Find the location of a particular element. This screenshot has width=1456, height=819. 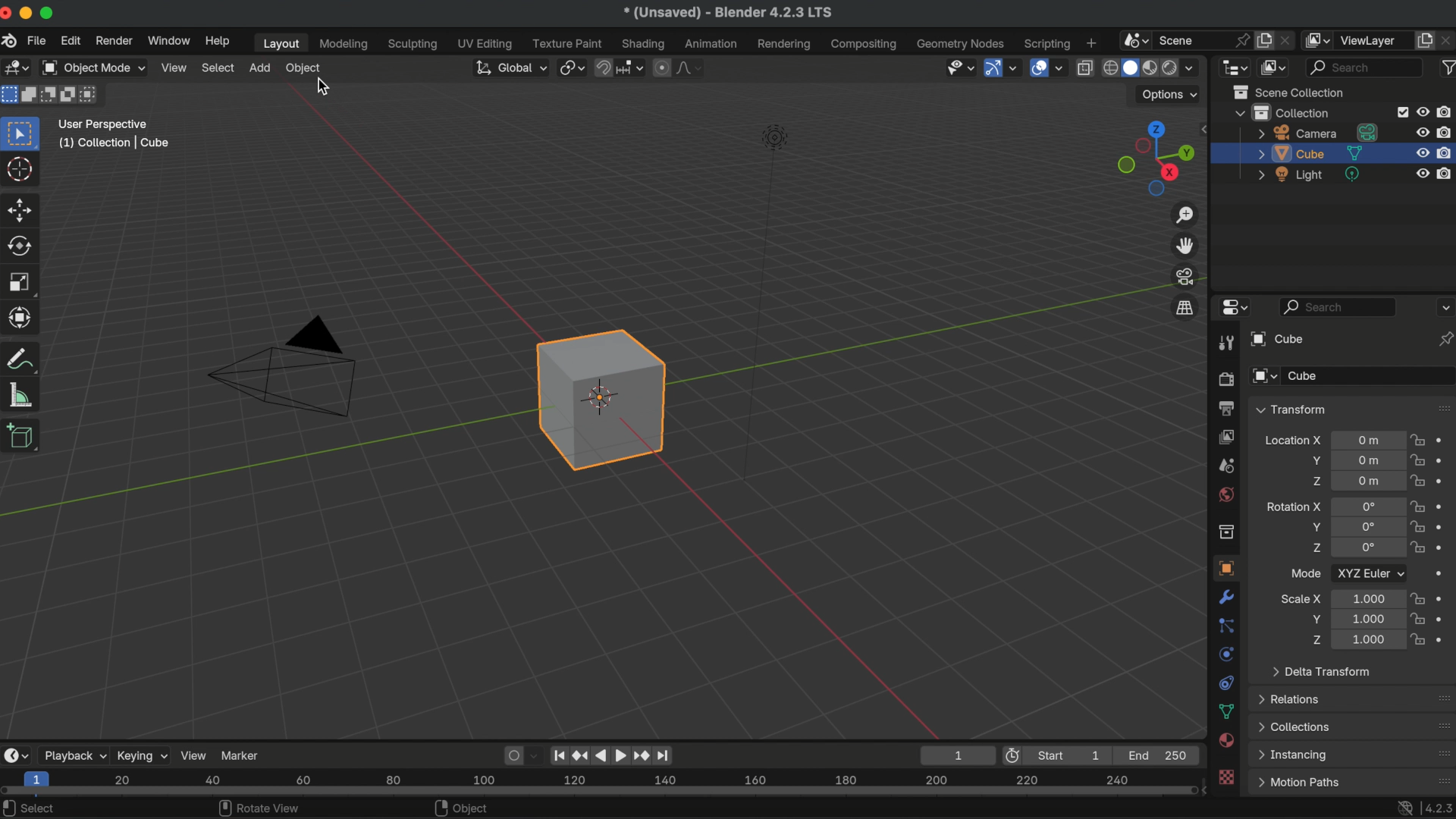

composting is located at coordinates (866, 45).